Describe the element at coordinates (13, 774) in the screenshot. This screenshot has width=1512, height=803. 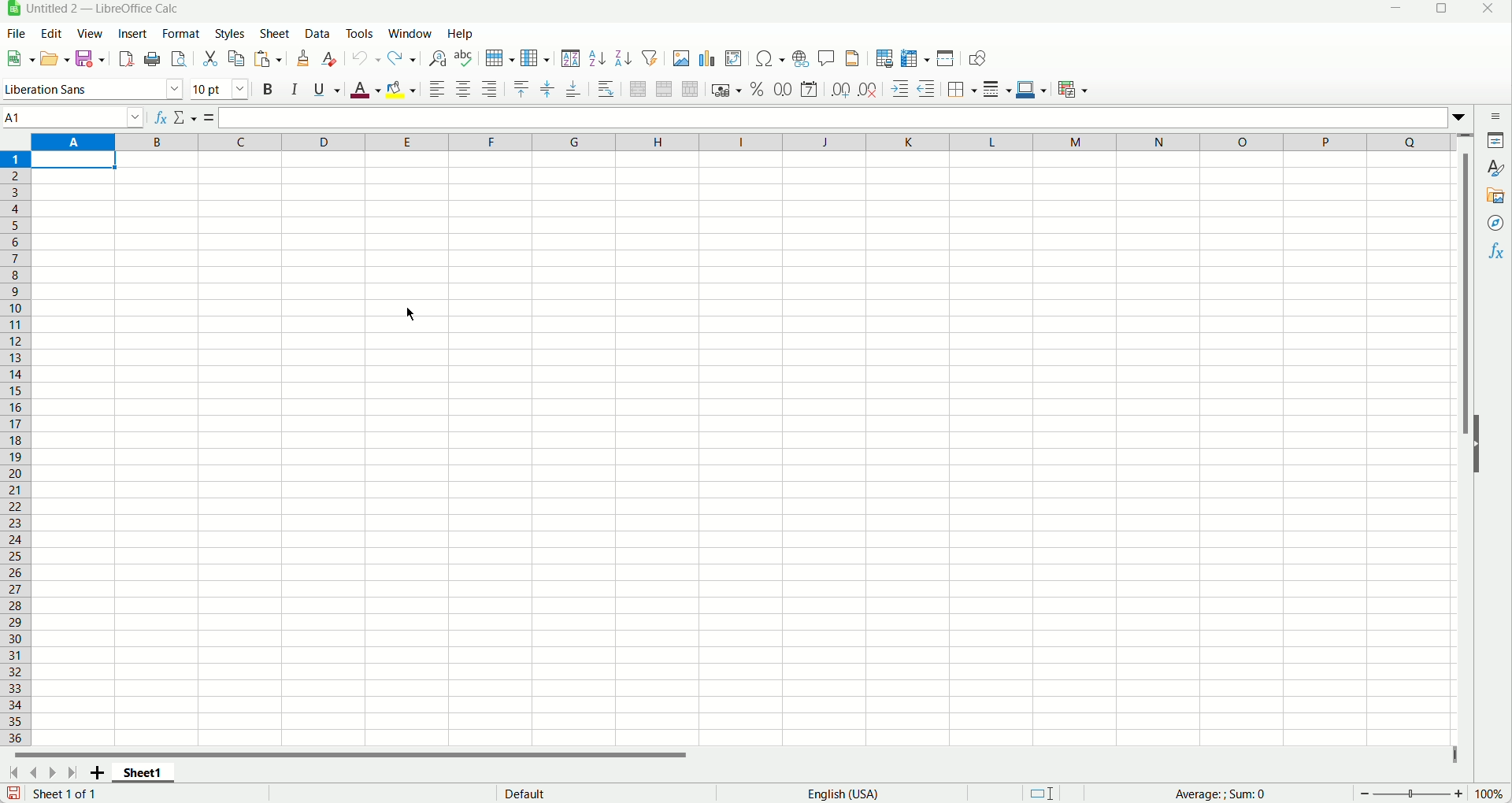
I see `Scroll to first sheet` at that location.